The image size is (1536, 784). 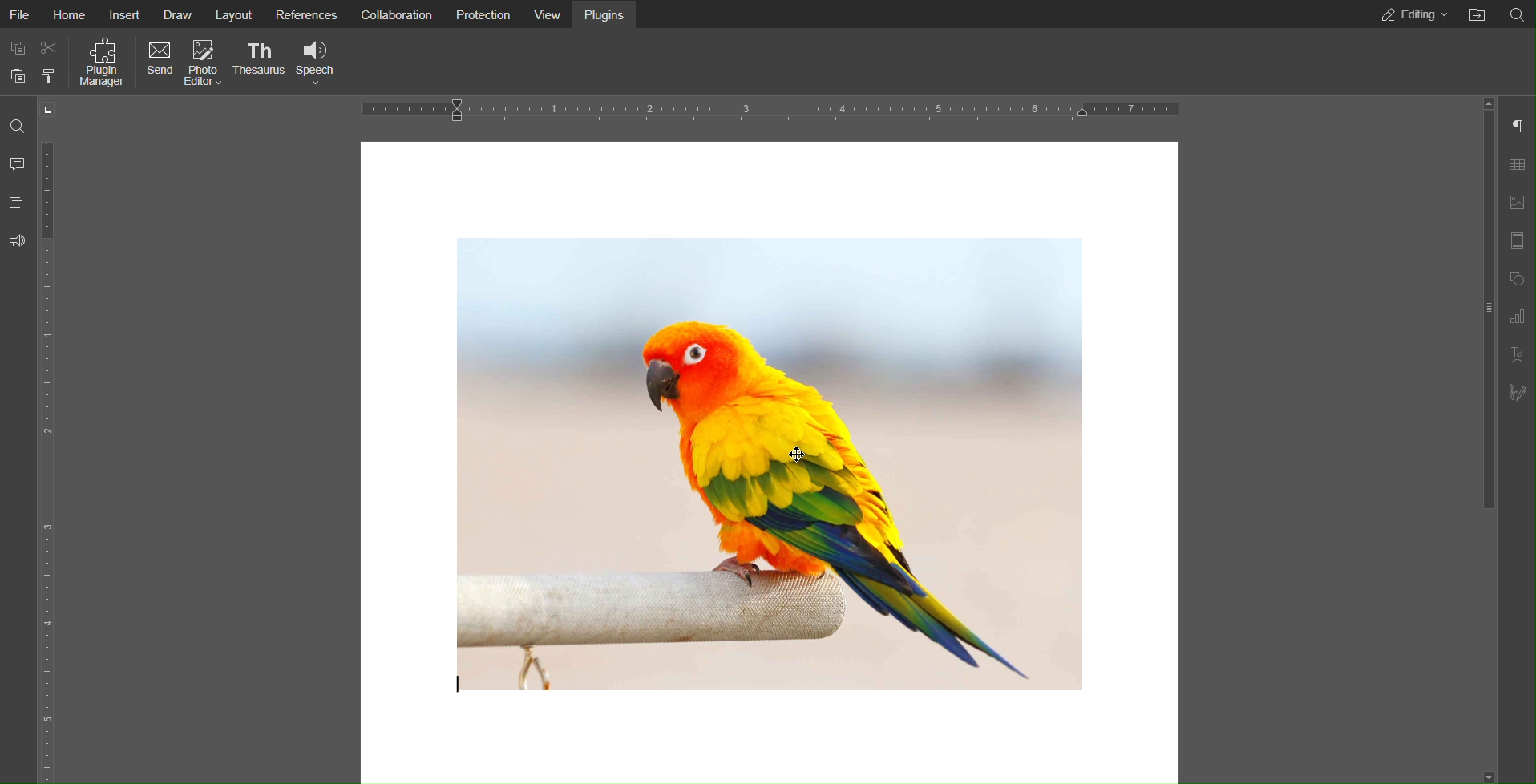 What do you see at coordinates (16, 46) in the screenshot?
I see `Copy` at bounding box center [16, 46].